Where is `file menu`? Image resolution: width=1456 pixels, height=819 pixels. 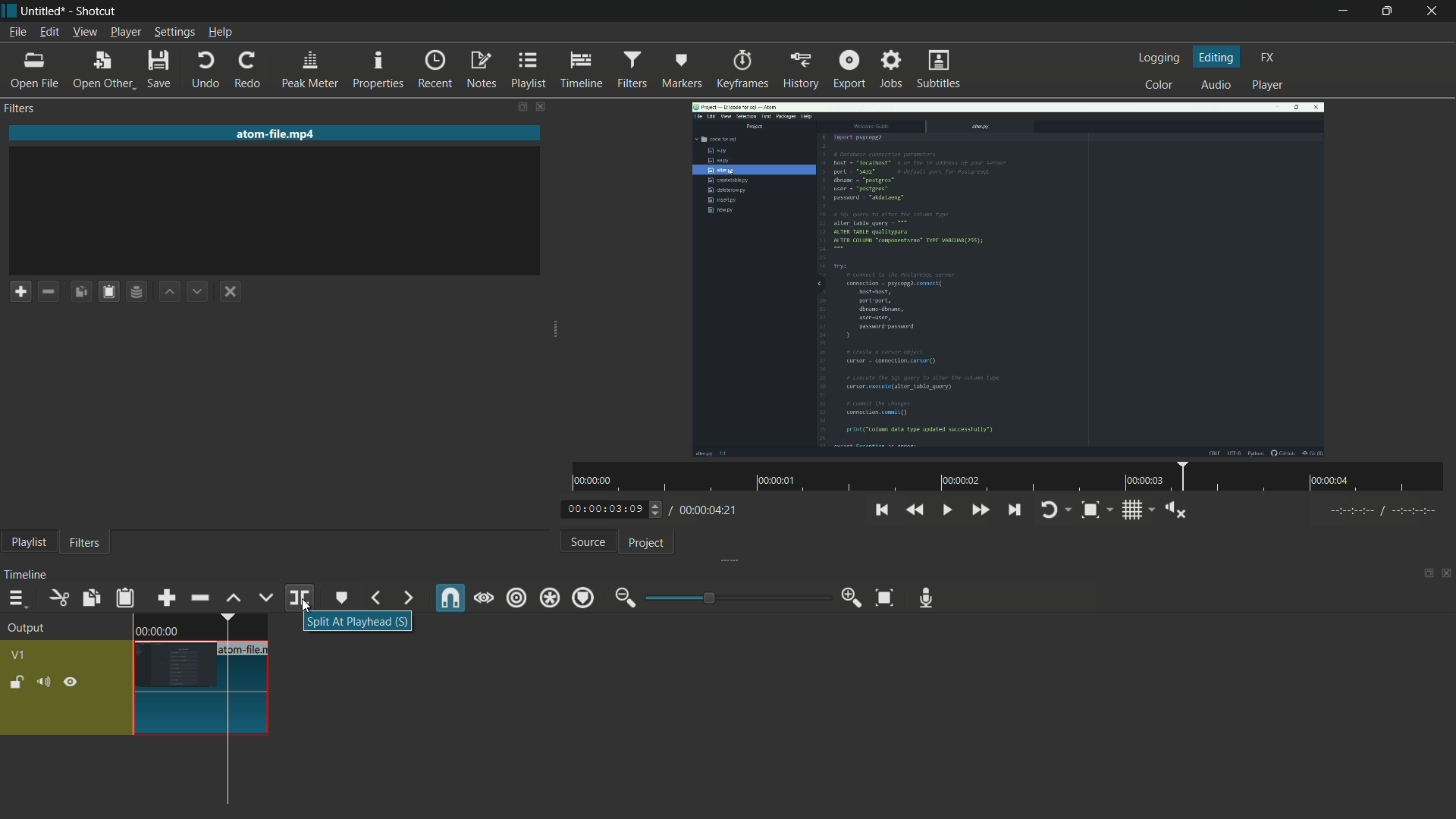
file menu is located at coordinates (18, 33).